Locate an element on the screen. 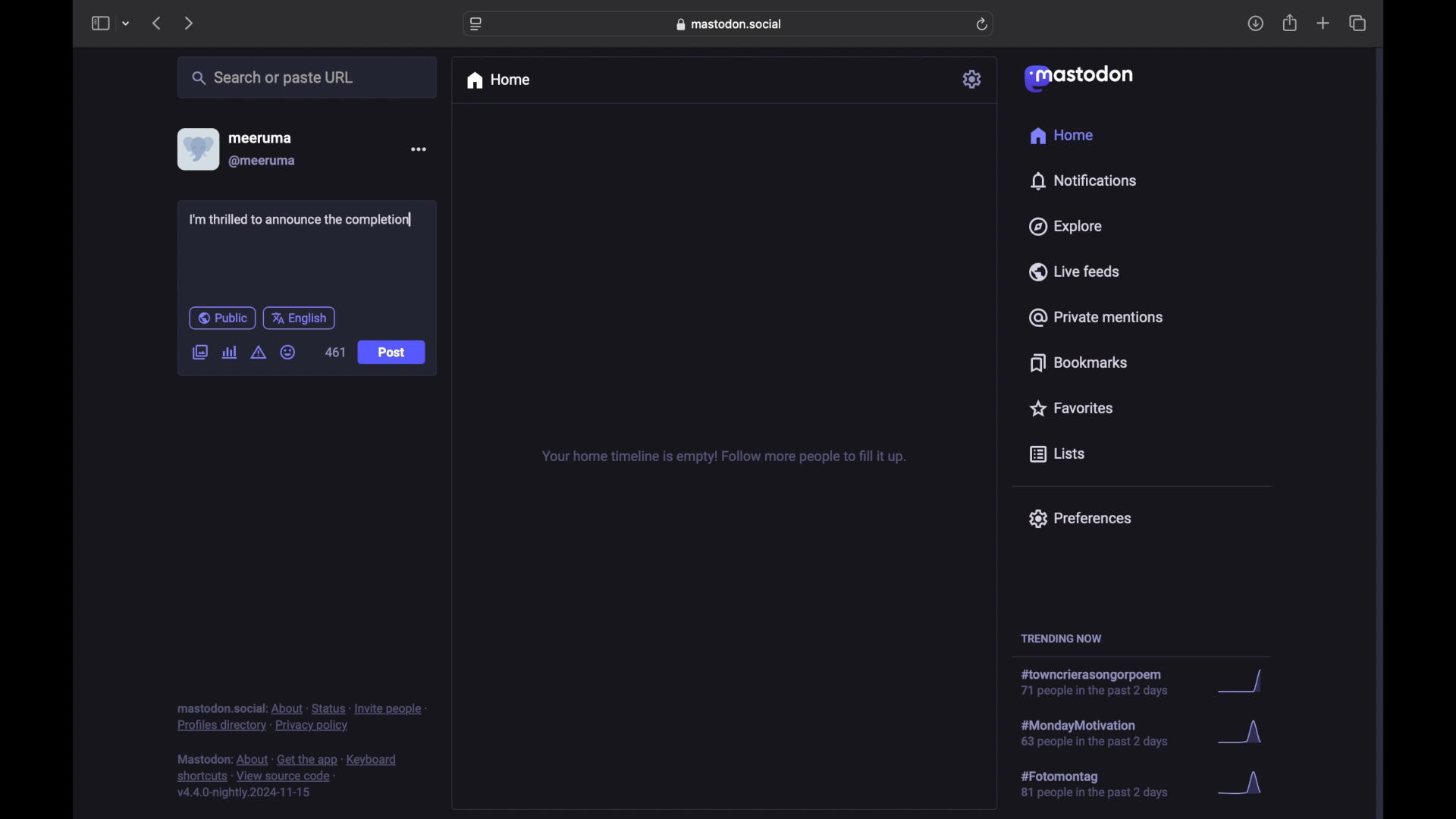 This screenshot has height=819, width=1456. trending now is located at coordinates (1061, 639).